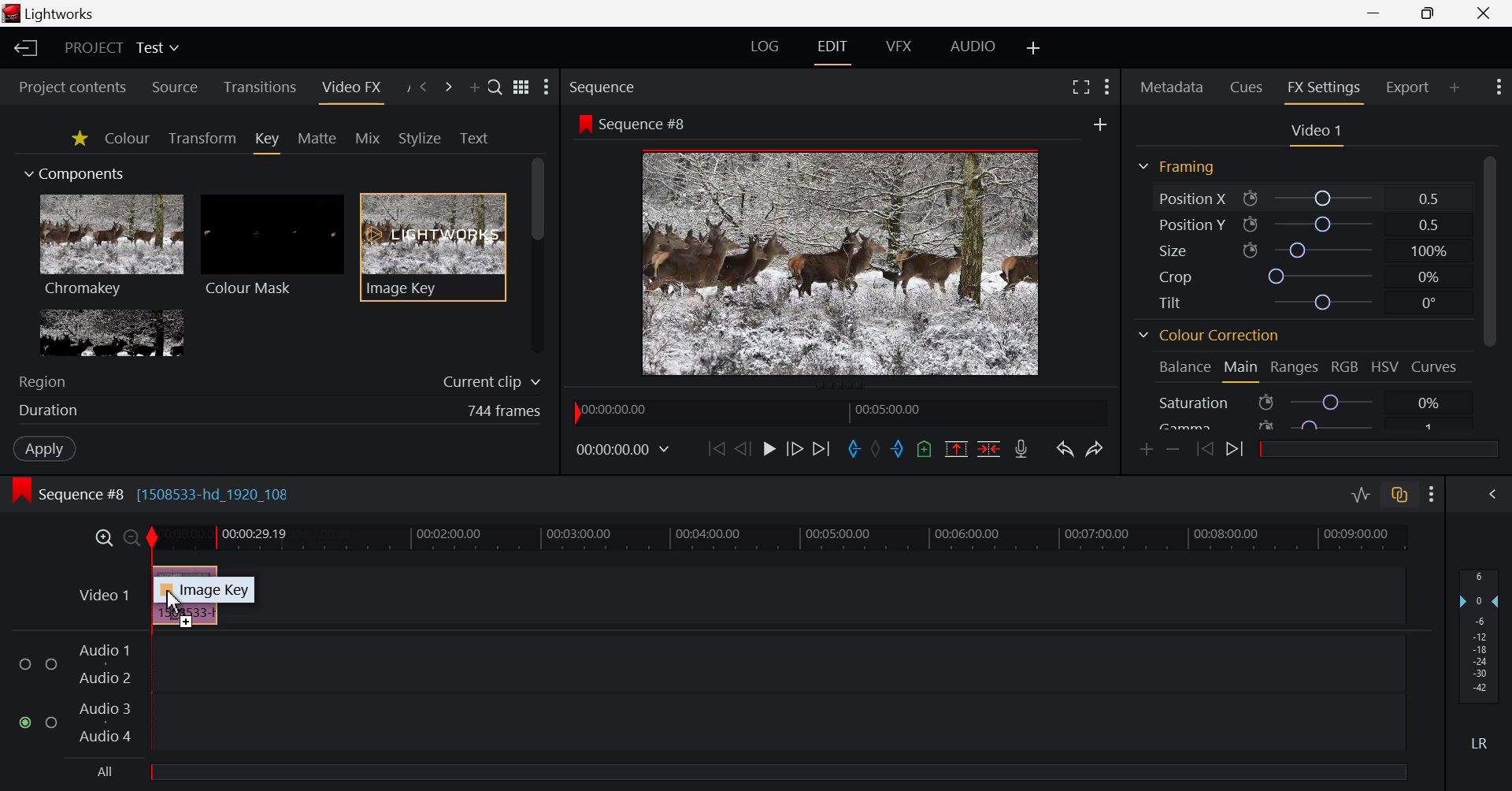 The width and height of the screenshot is (1512, 791). What do you see at coordinates (65, 85) in the screenshot?
I see `Project contents` at bounding box center [65, 85].